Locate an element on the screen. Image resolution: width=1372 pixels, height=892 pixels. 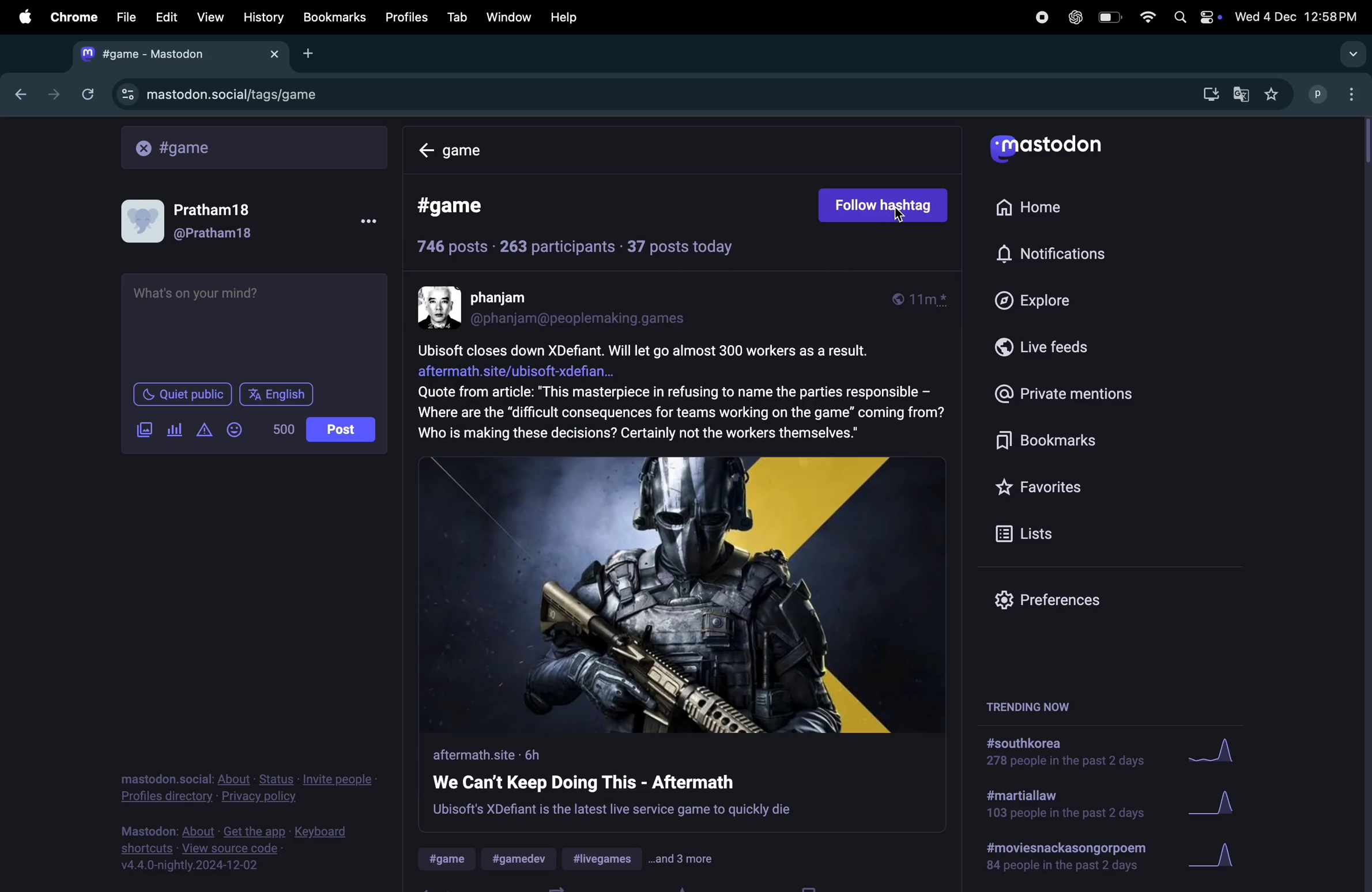
#south korea is located at coordinates (1058, 754).